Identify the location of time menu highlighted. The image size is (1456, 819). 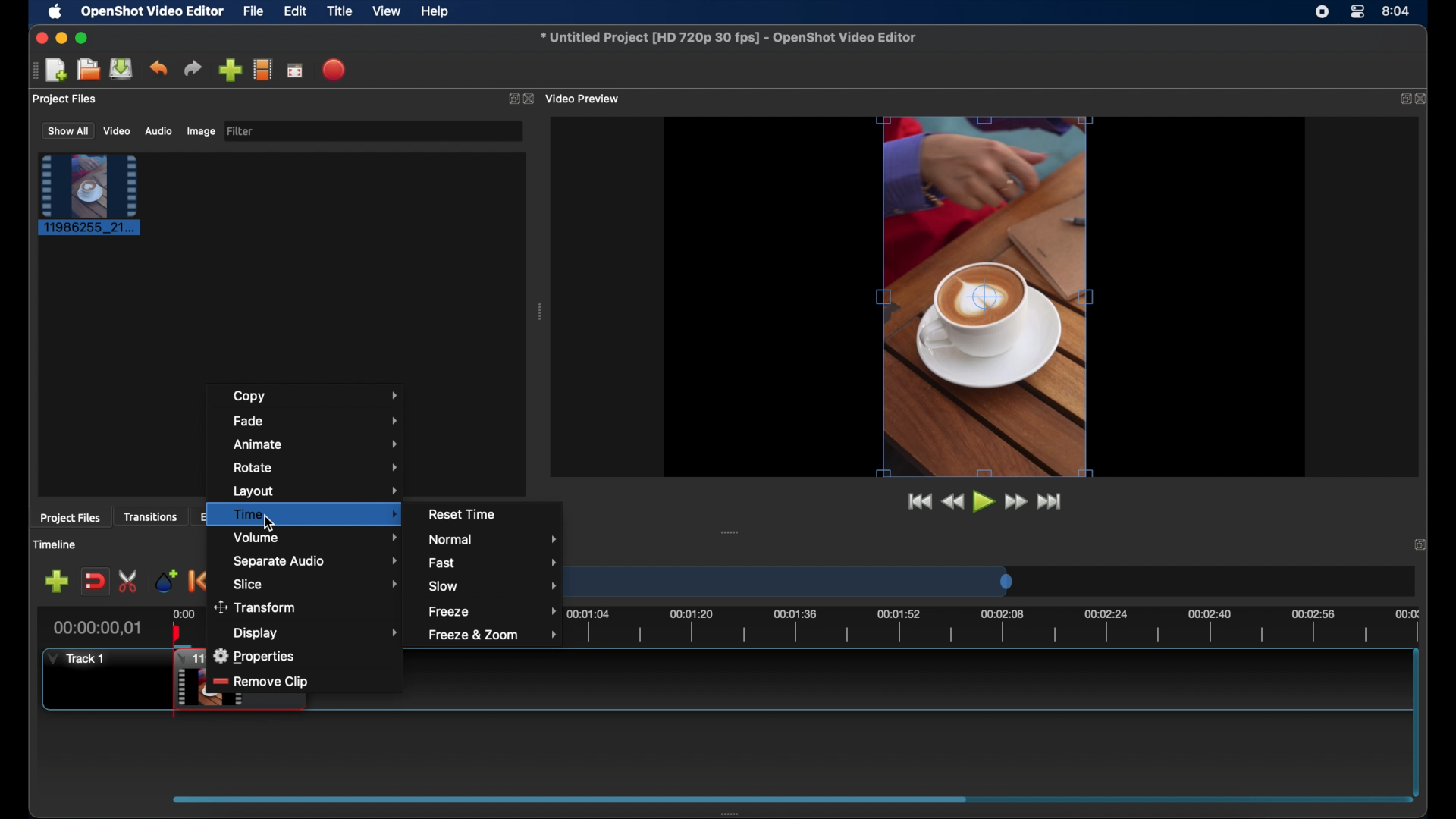
(304, 514).